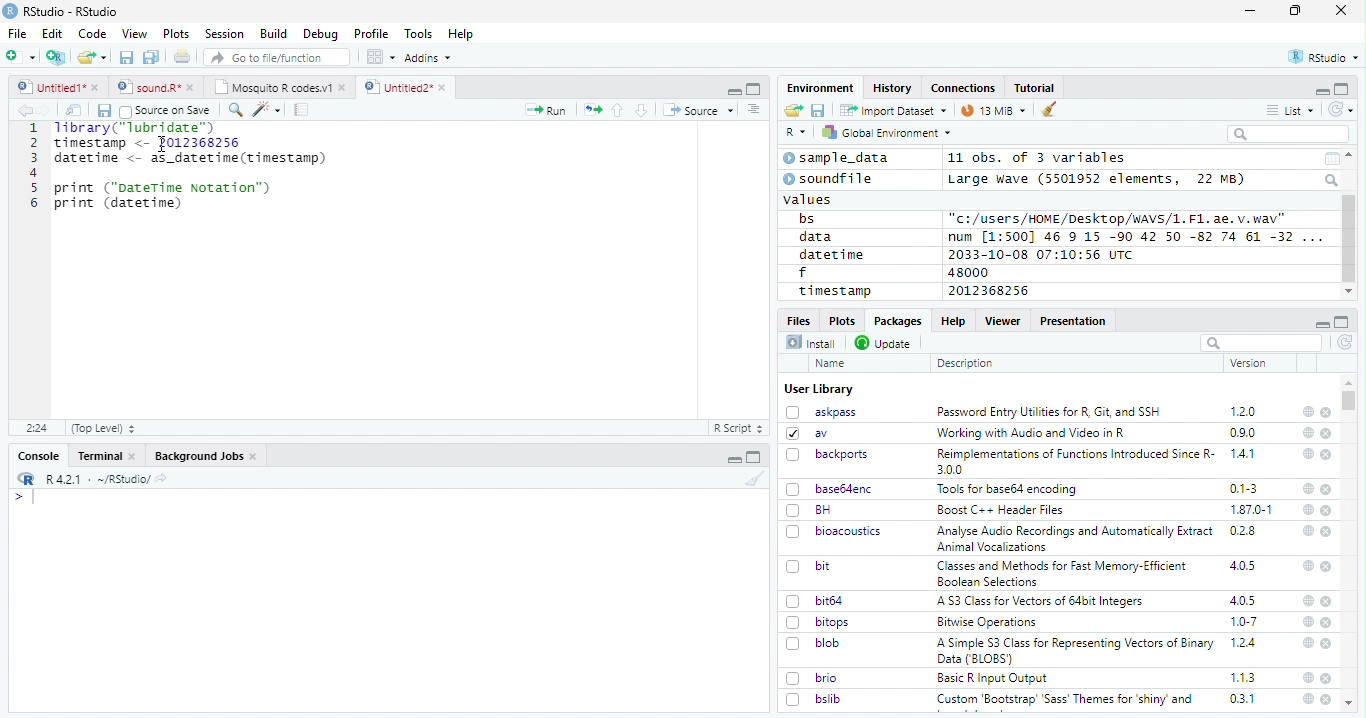 Image resolution: width=1366 pixels, height=718 pixels. I want to click on Update, so click(885, 343).